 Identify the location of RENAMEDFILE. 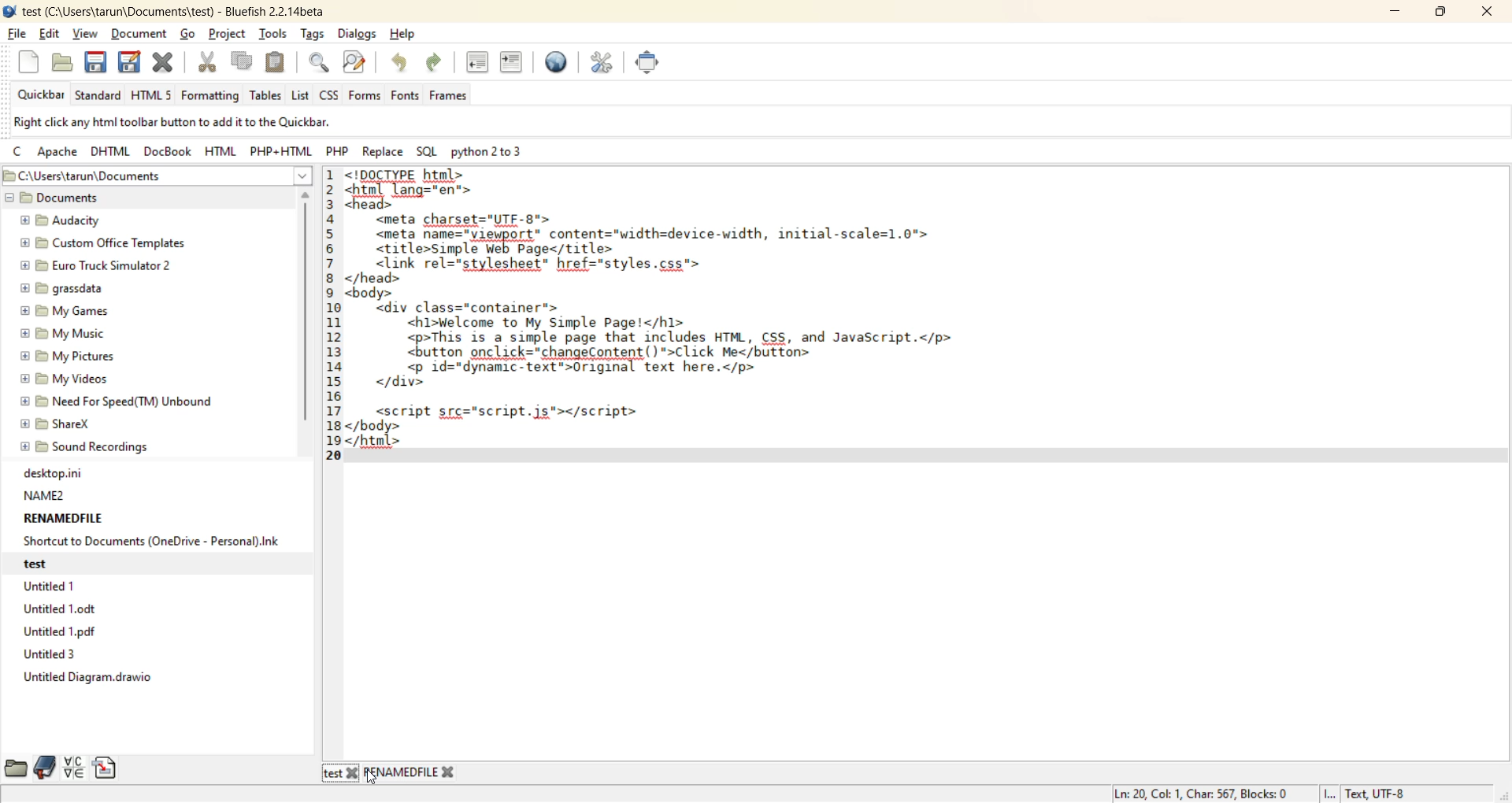
(63, 516).